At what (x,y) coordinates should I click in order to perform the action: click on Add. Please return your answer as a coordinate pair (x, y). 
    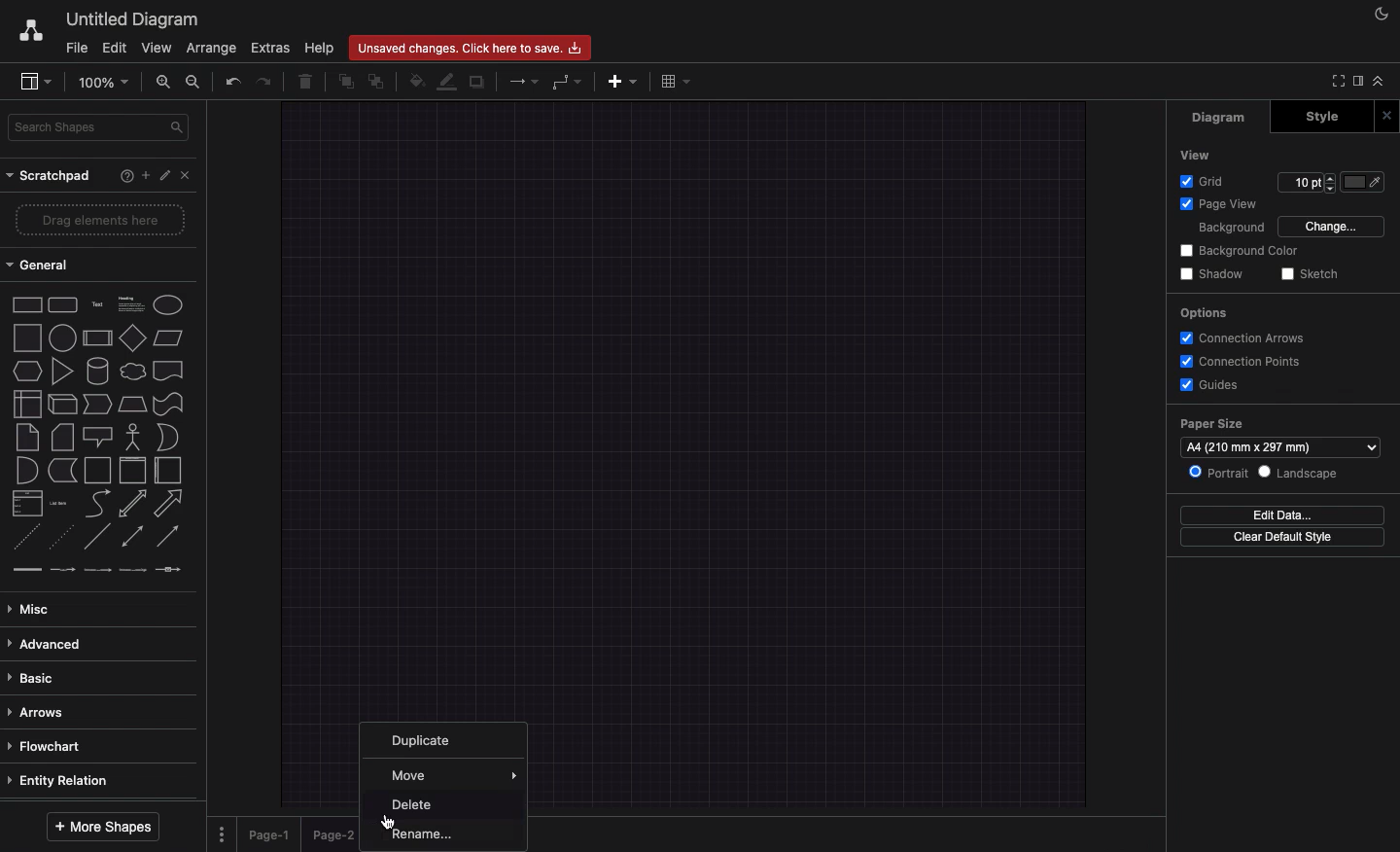
    Looking at the image, I should click on (145, 175).